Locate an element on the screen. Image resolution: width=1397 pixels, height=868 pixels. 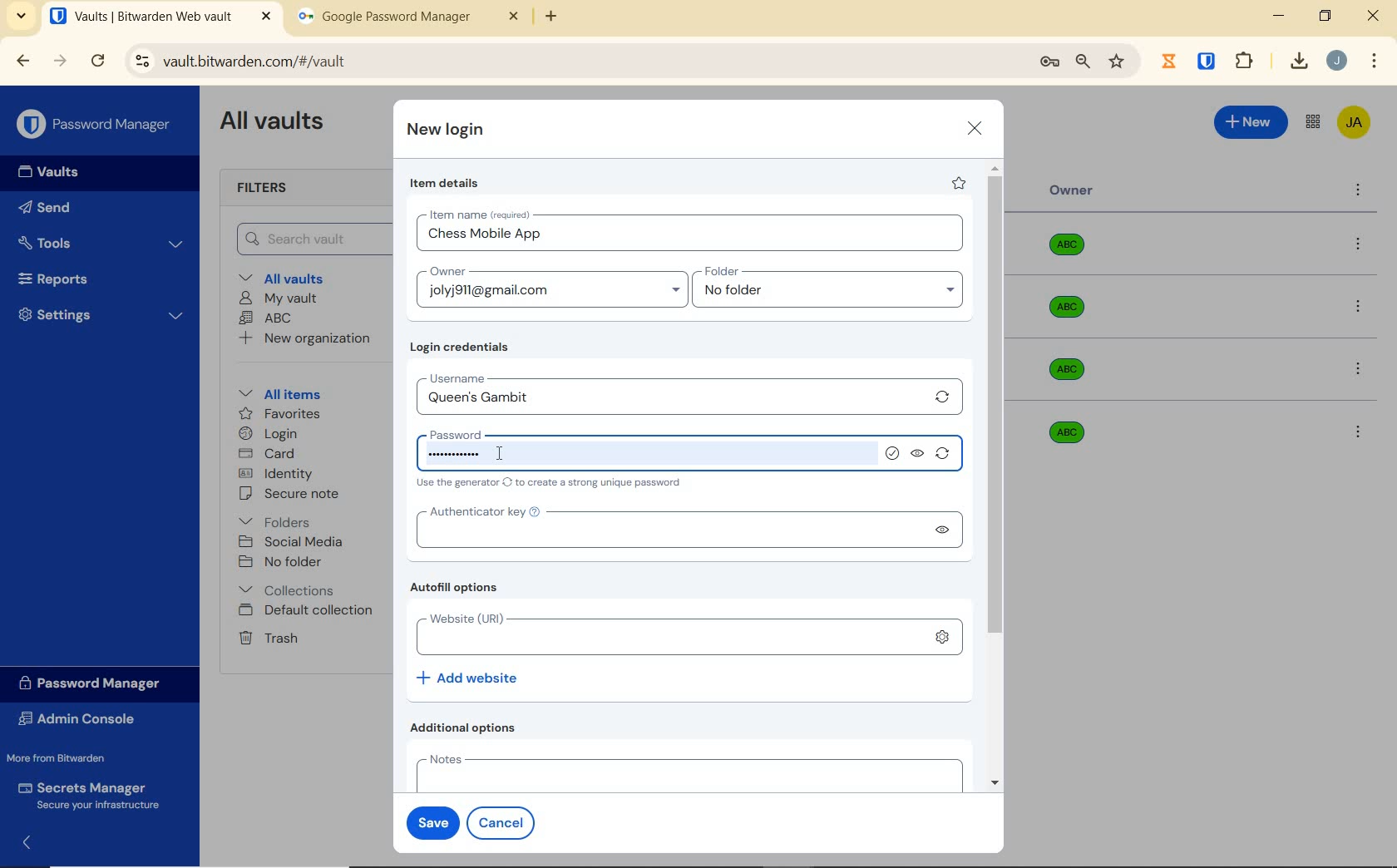
address bar is located at coordinates (573, 62).